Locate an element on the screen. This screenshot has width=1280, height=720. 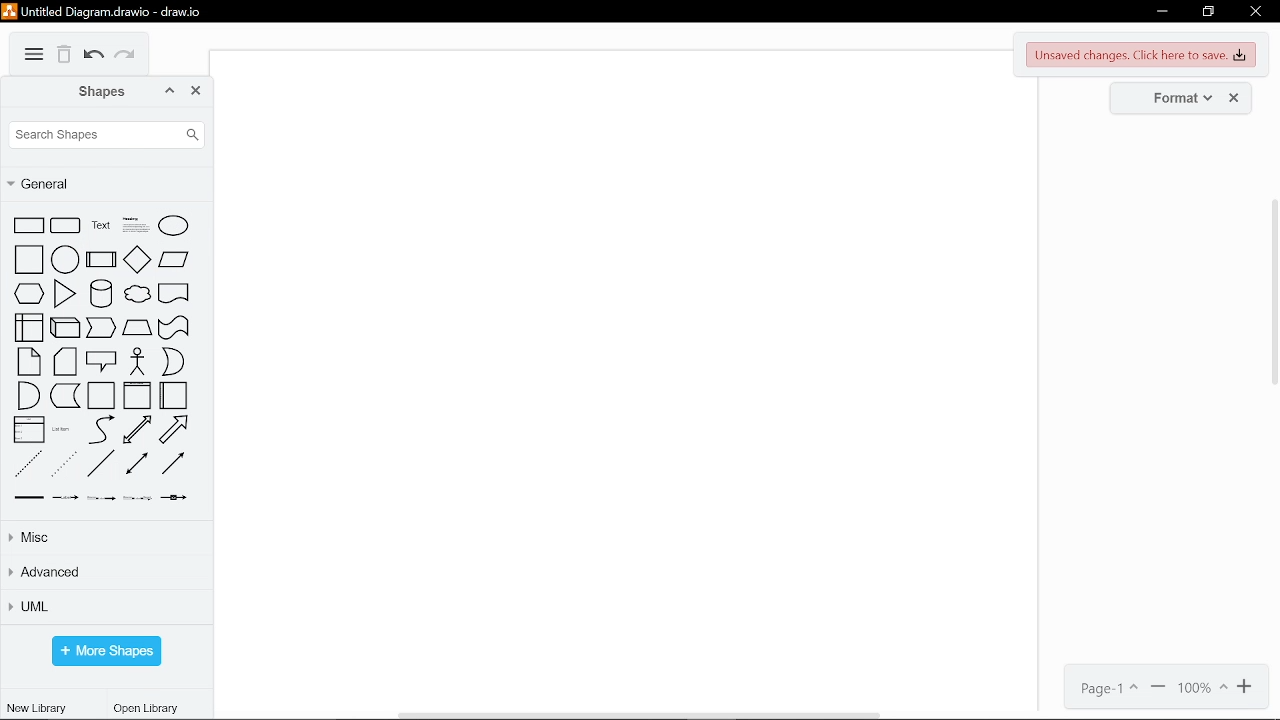
parallelogram is located at coordinates (175, 259).